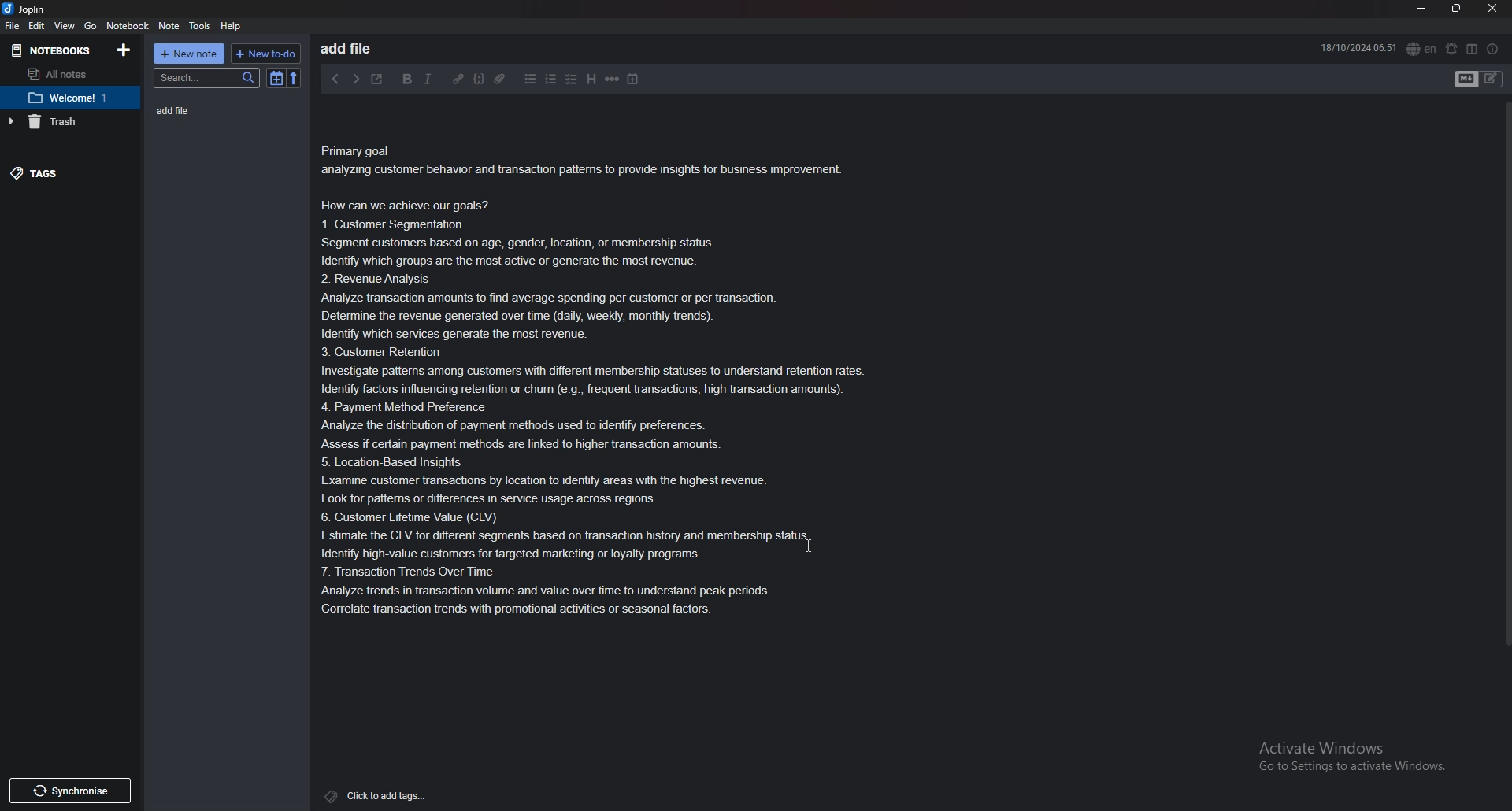  Describe the element at coordinates (502, 80) in the screenshot. I see `Attachment` at that location.